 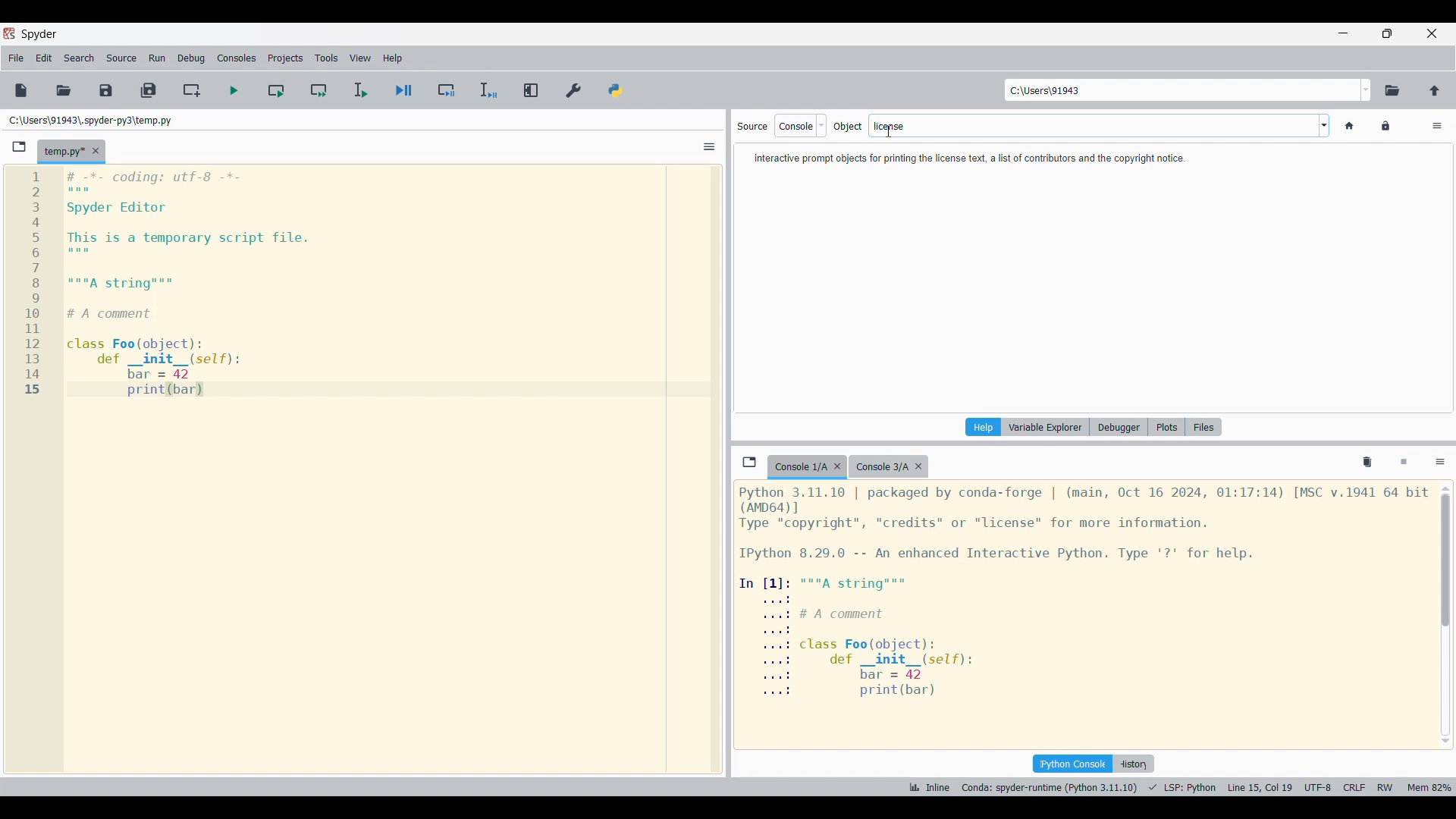 I want to click on Home, so click(x=1351, y=126).